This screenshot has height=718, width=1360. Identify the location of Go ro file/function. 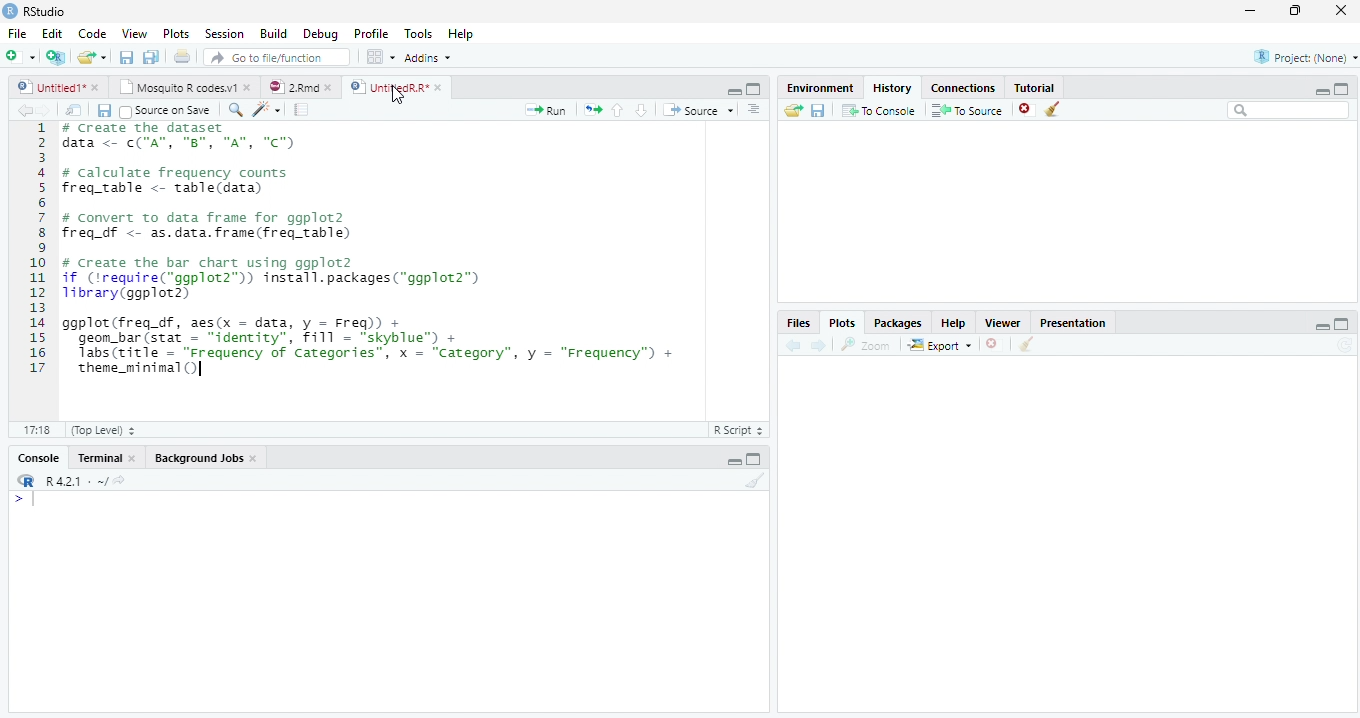
(275, 58).